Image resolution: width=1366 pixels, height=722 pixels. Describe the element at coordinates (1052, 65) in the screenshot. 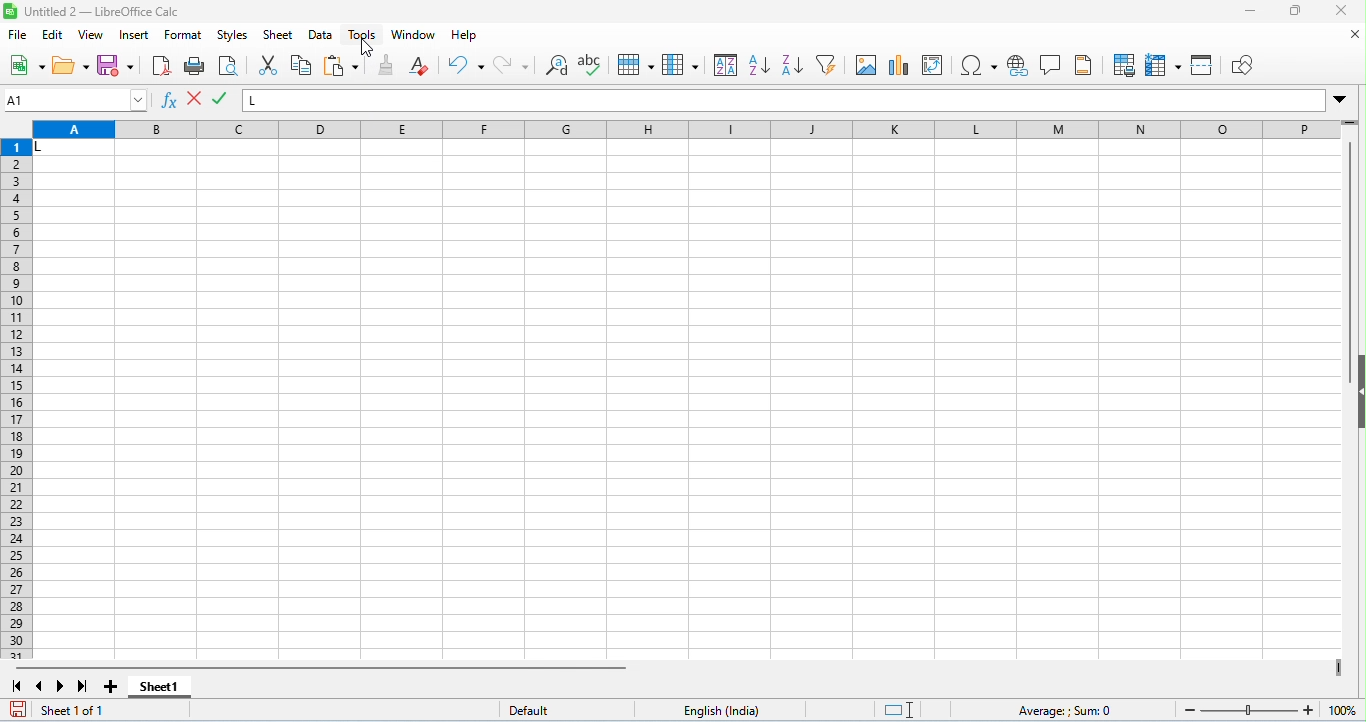

I see `insert comment` at that location.